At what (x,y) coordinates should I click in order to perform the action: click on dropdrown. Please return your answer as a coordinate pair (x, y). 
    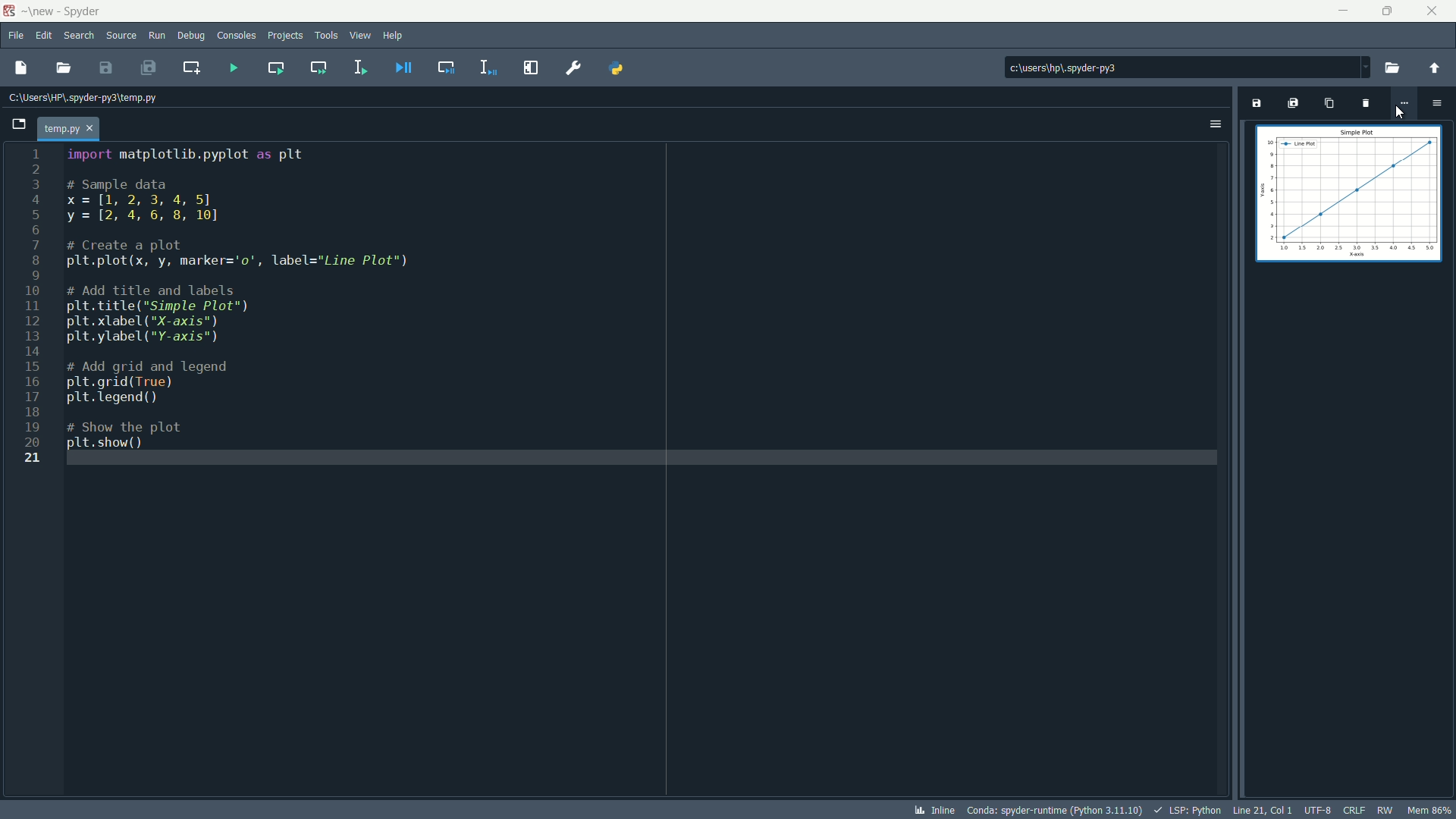
    Looking at the image, I should click on (1365, 67).